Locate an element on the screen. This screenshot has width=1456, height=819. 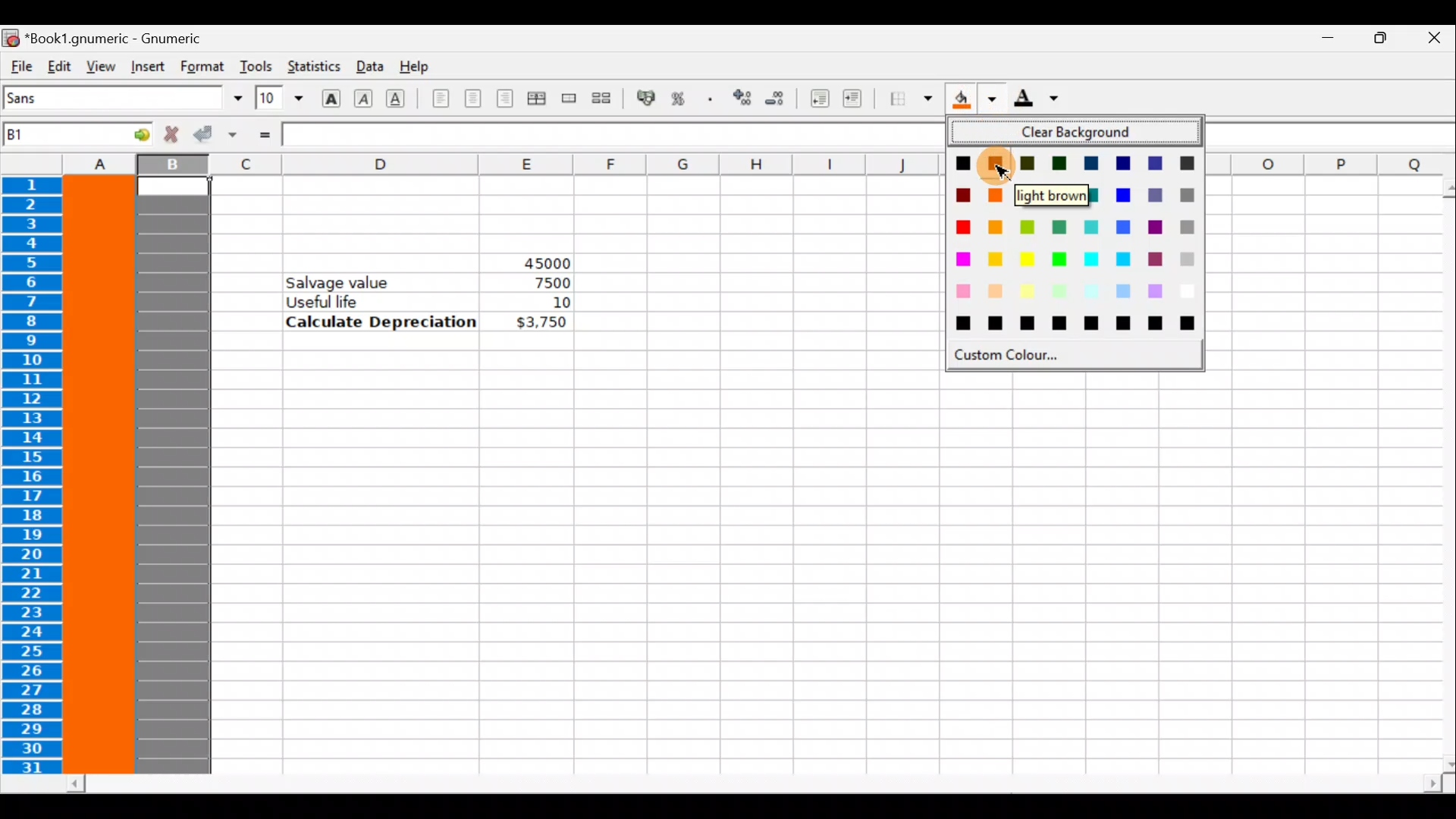
Reject change is located at coordinates (167, 135).